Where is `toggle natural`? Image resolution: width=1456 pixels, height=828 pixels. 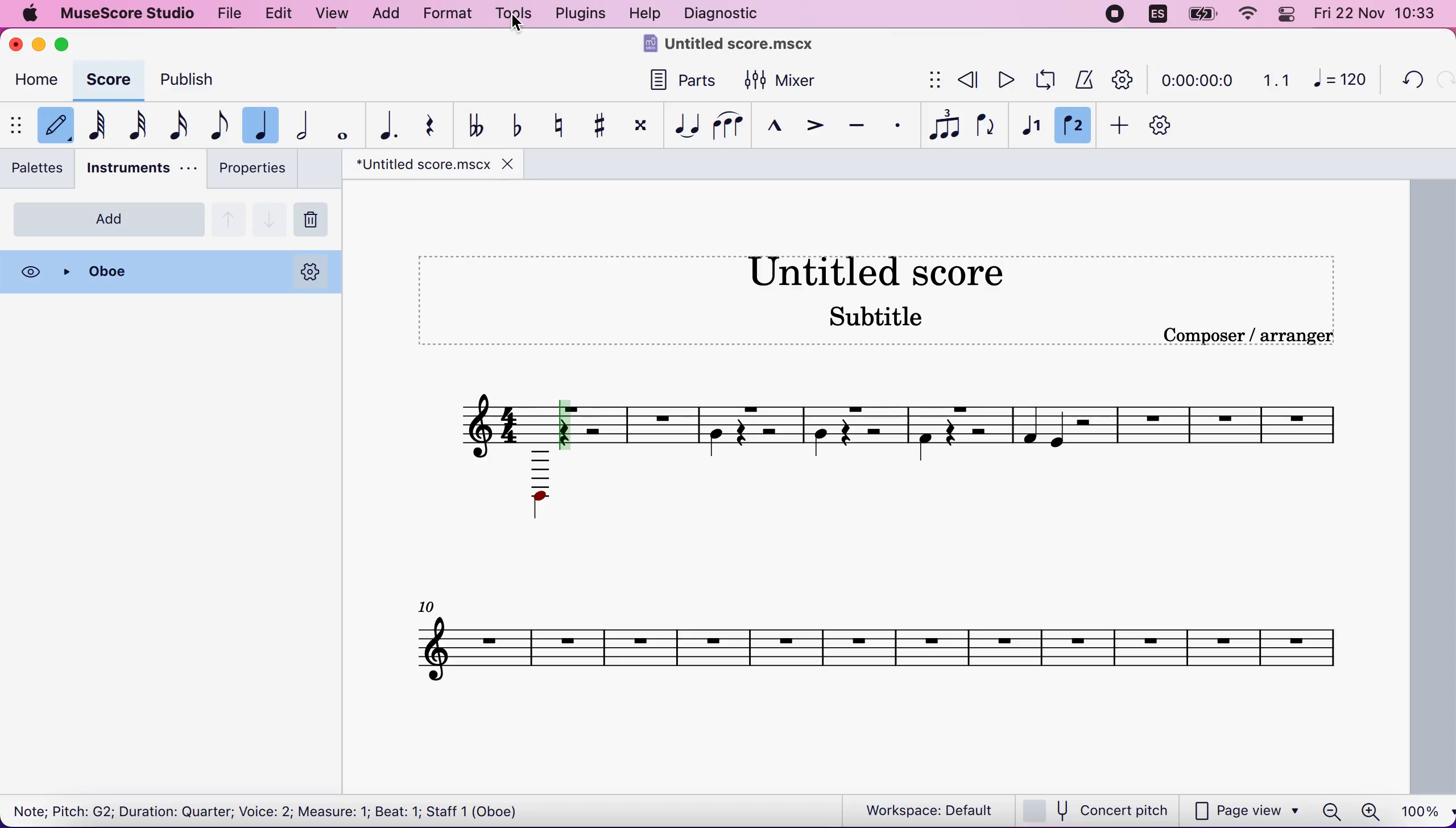 toggle natural is located at coordinates (561, 125).